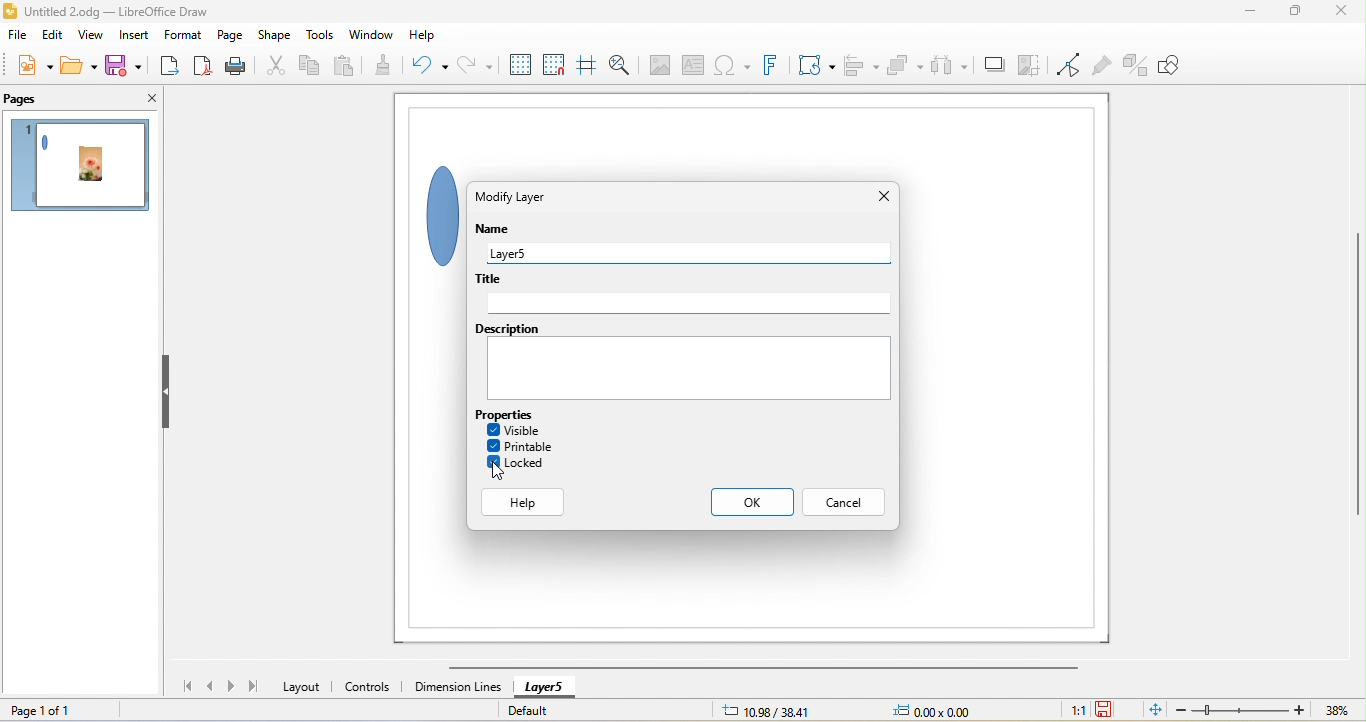 This screenshot has height=722, width=1366. I want to click on toggle point edit mode, so click(1069, 66).